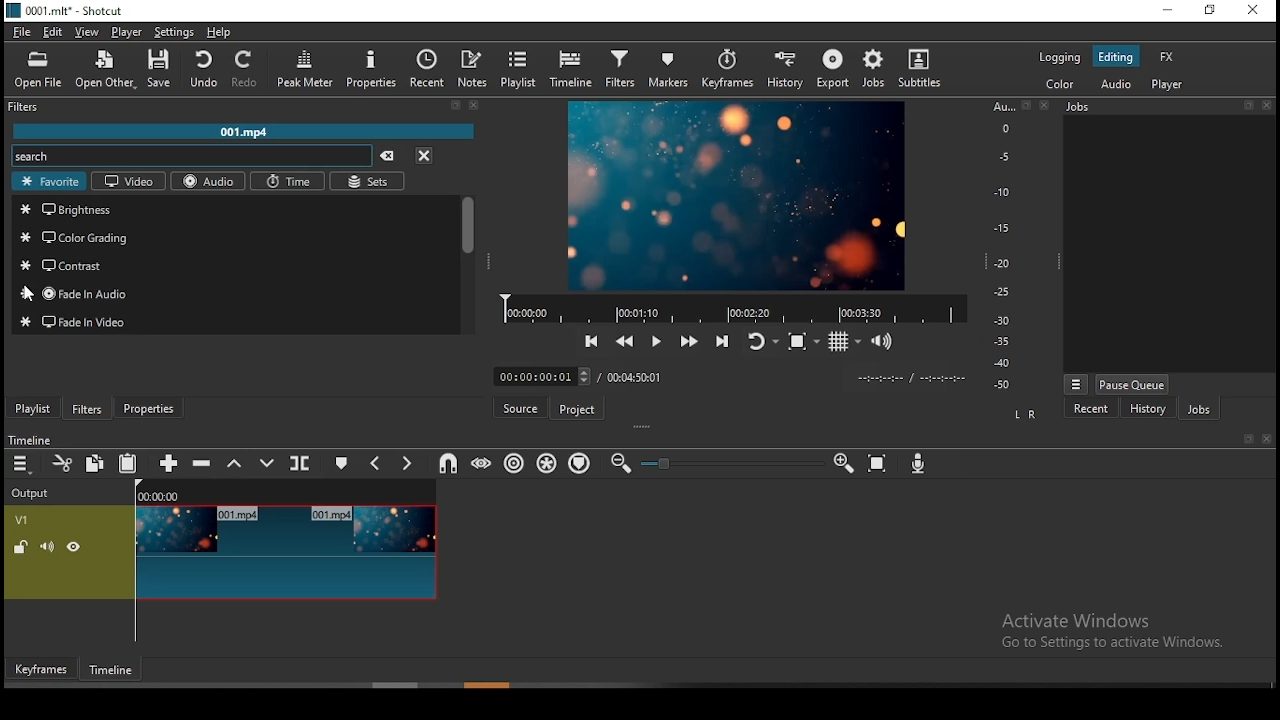 Image resolution: width=1280 pixels, height=720 pixels. I want to click on view, so click(86, 31).